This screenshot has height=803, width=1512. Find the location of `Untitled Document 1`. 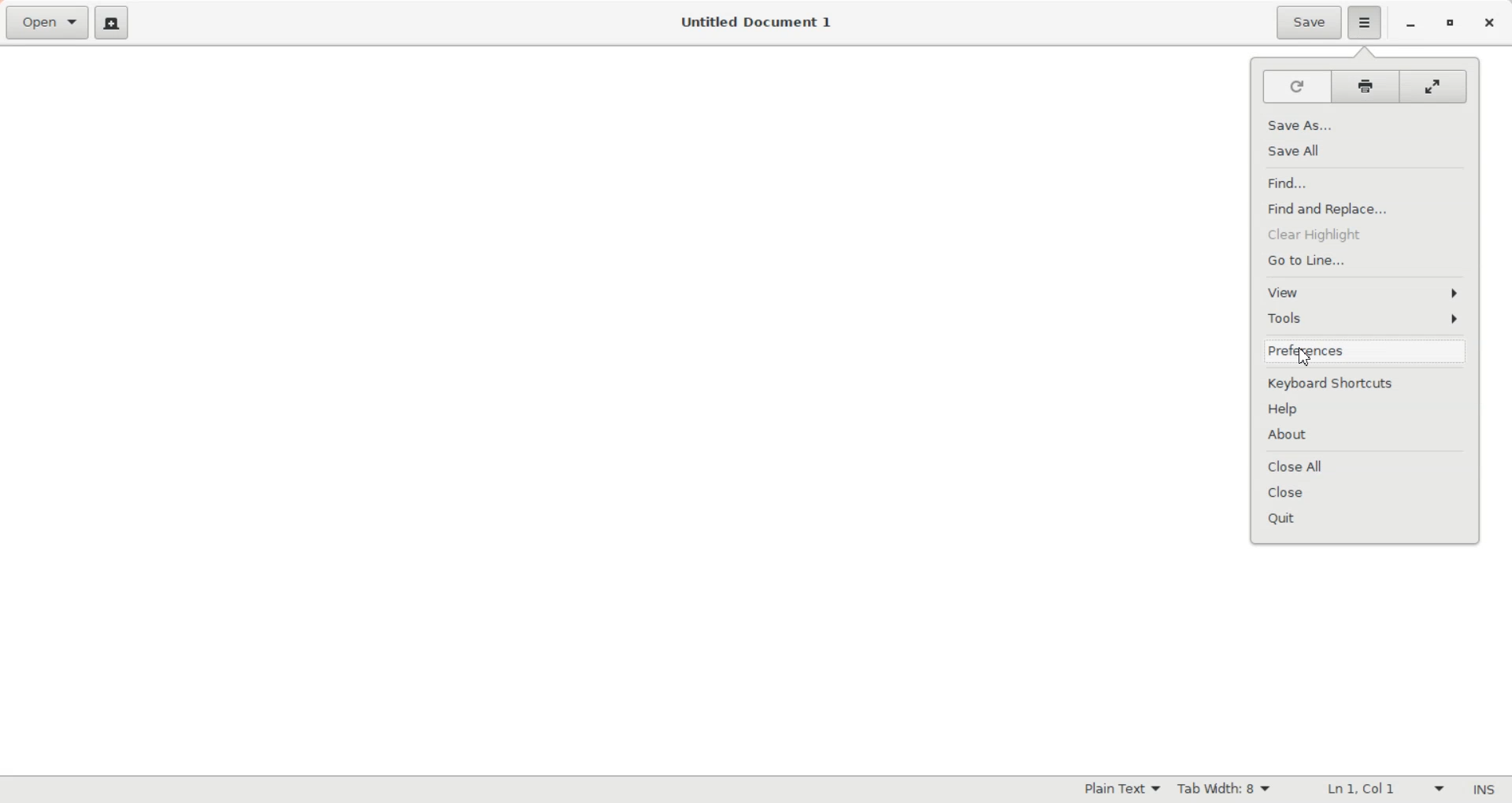

Untitled Document 1 is located at coordinates (756, 22).